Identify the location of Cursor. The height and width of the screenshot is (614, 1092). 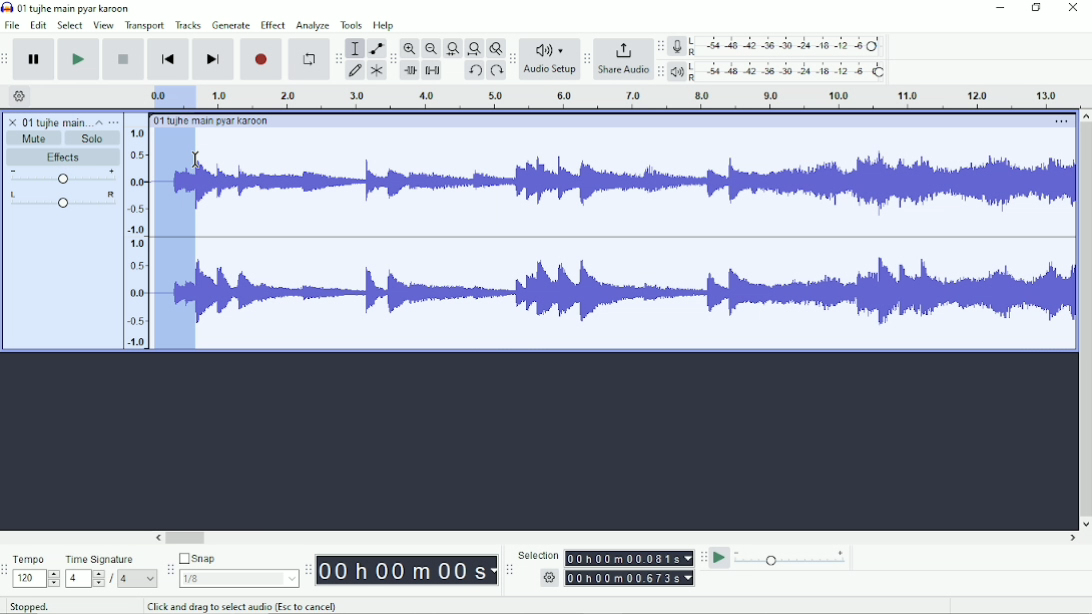
(197, 161).